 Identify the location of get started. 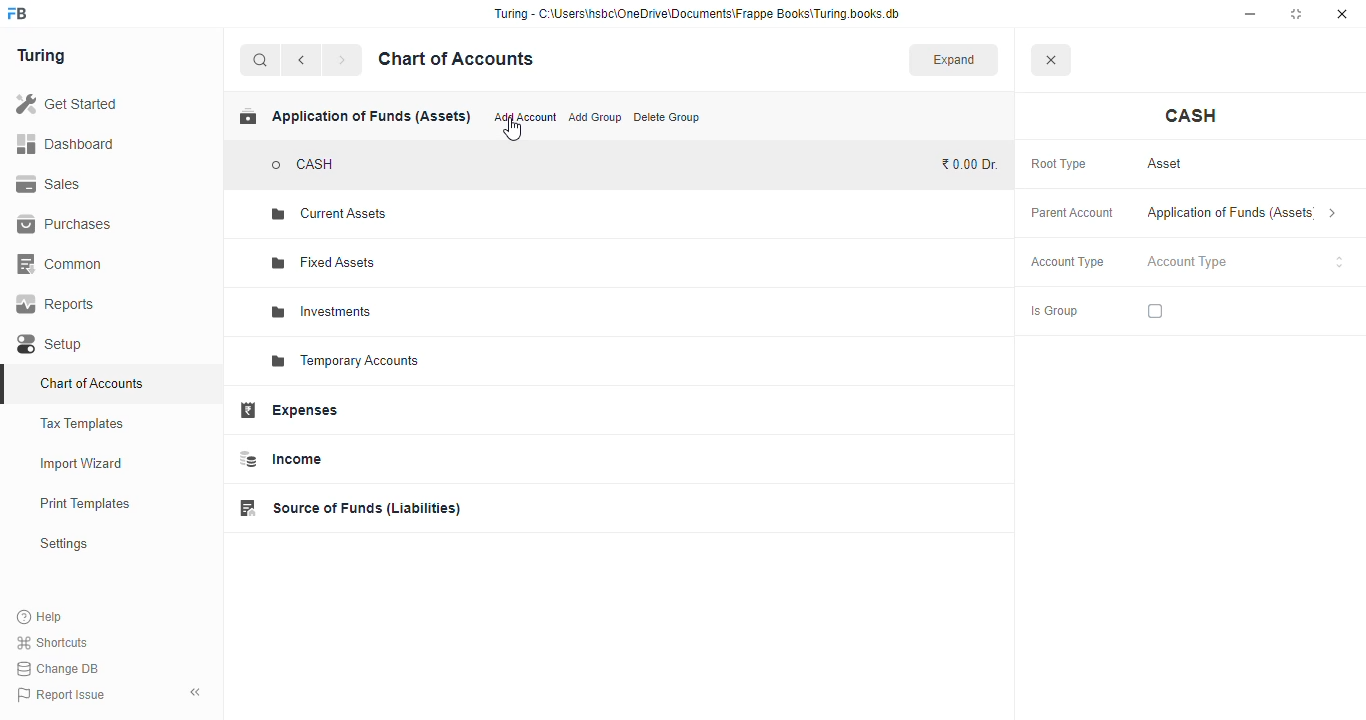
(66, 103).